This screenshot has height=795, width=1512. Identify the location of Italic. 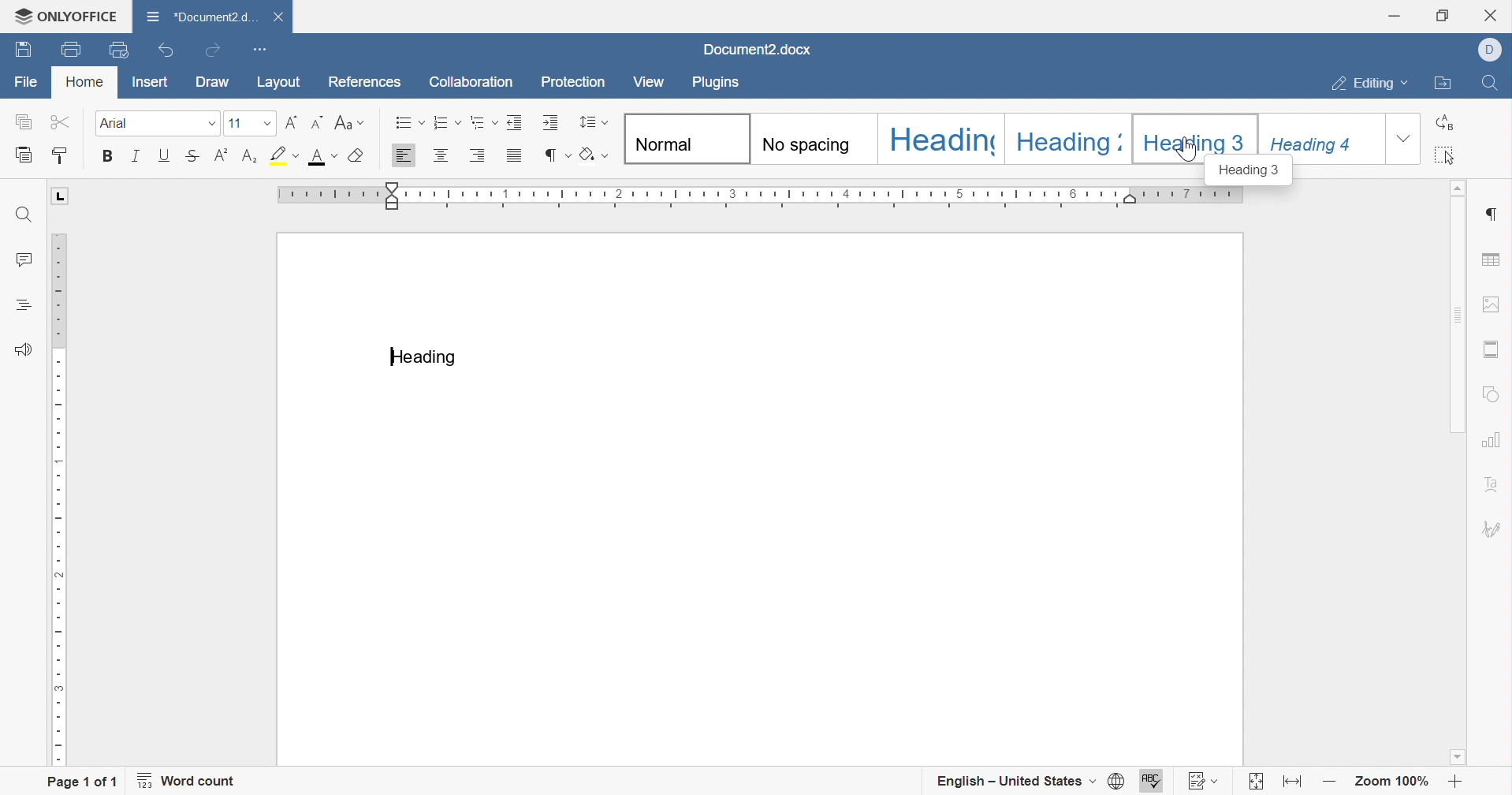
(134, 158).